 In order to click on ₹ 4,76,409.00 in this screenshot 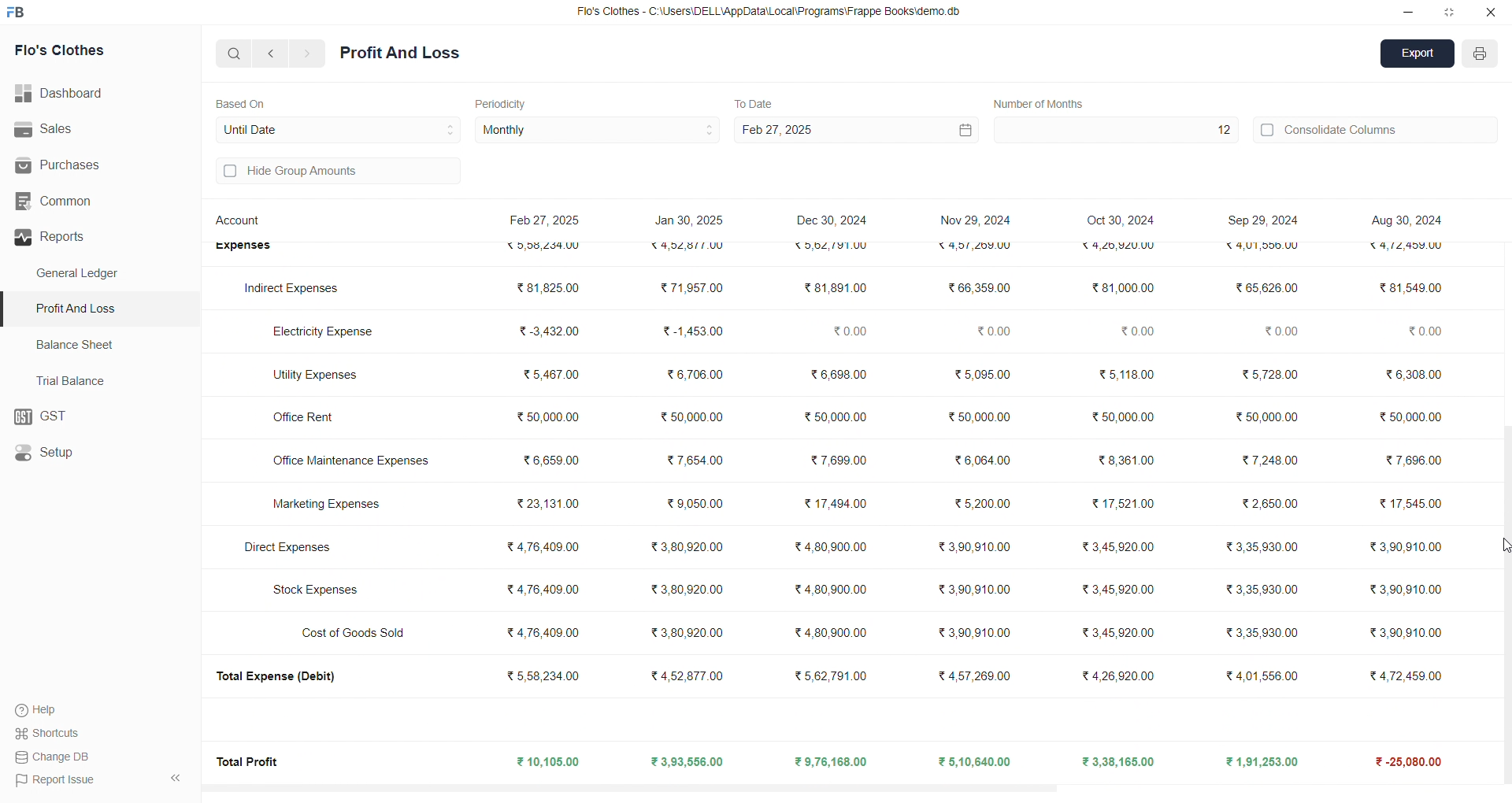, I will do `click(547, 634)`.